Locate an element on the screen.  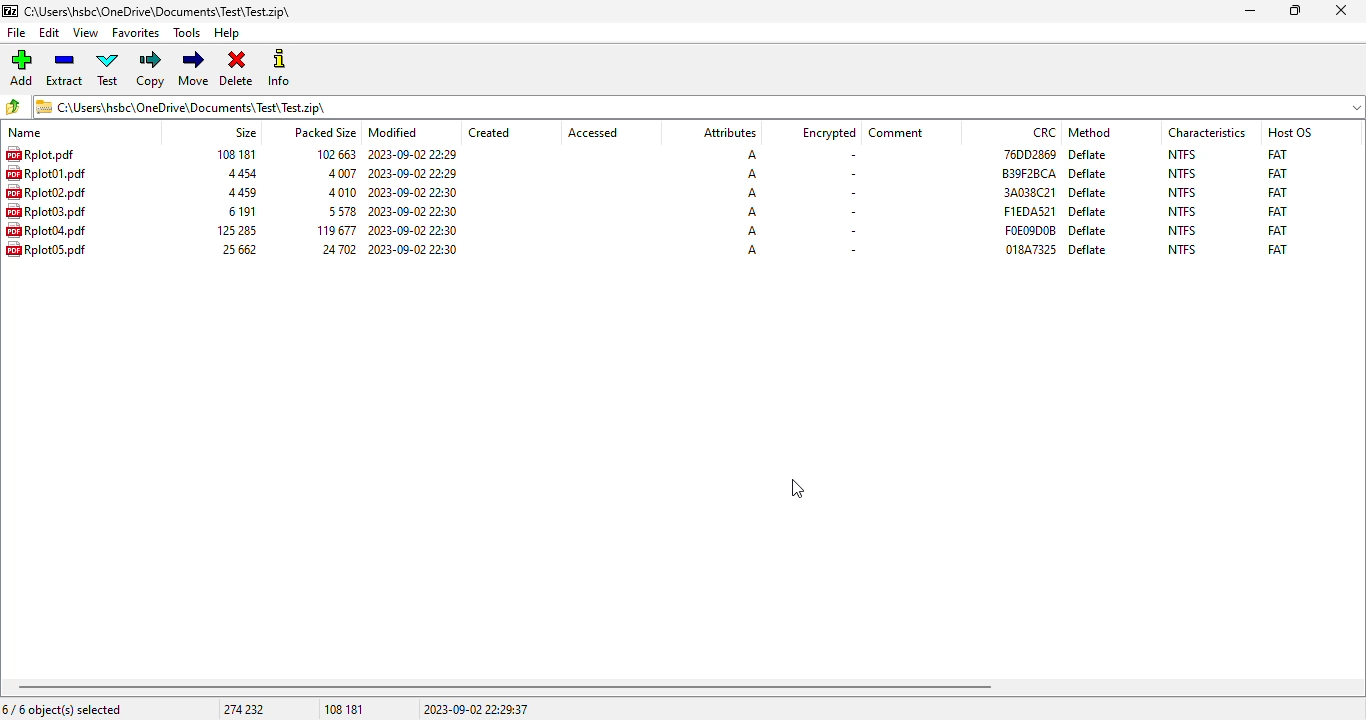
size is located at coordinates (239, 174).